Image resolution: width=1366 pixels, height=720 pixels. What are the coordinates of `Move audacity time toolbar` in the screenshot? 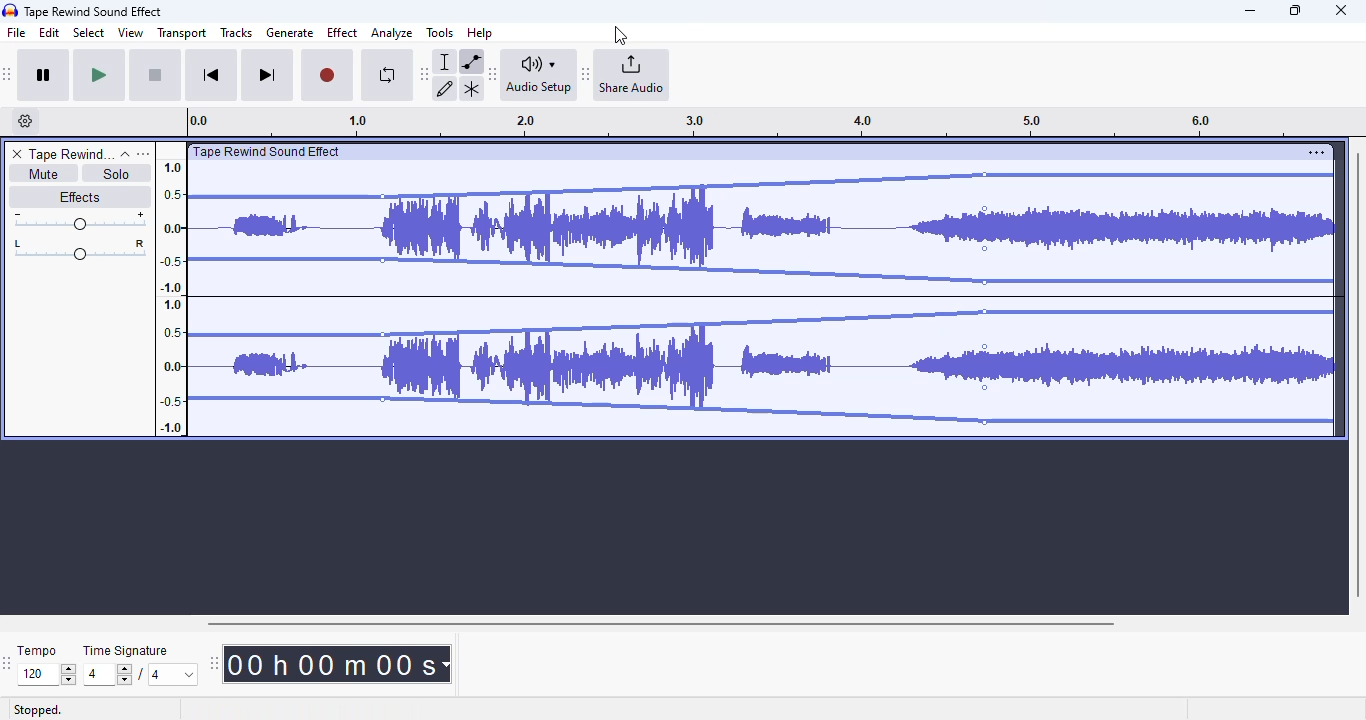 It's located at (213, 663).